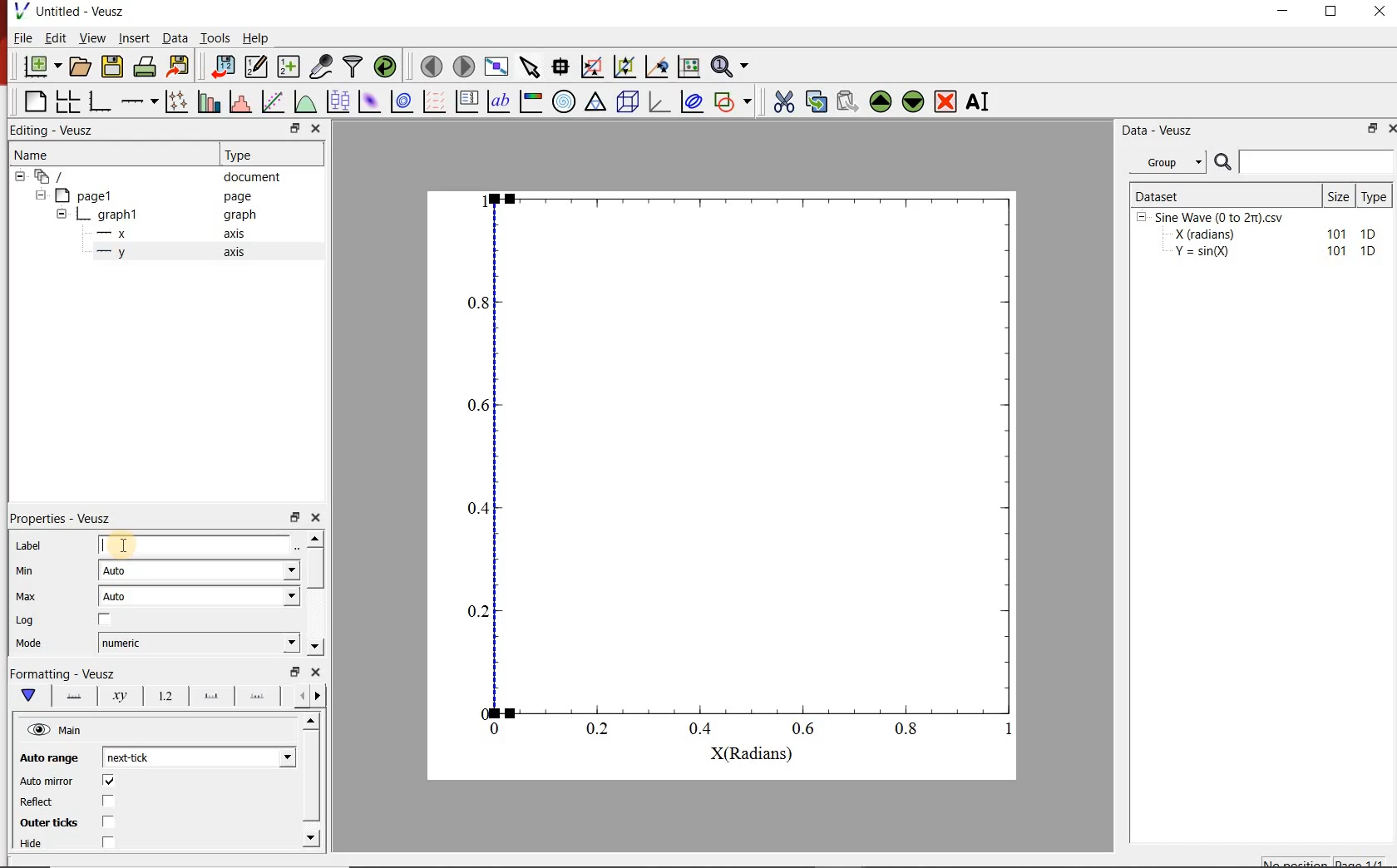 The height and width of the screenshot is (868, 1397). What do you see at coordinates (21, 10) in the screenshot?
I see `Logo` at bounding box center [21, 10].